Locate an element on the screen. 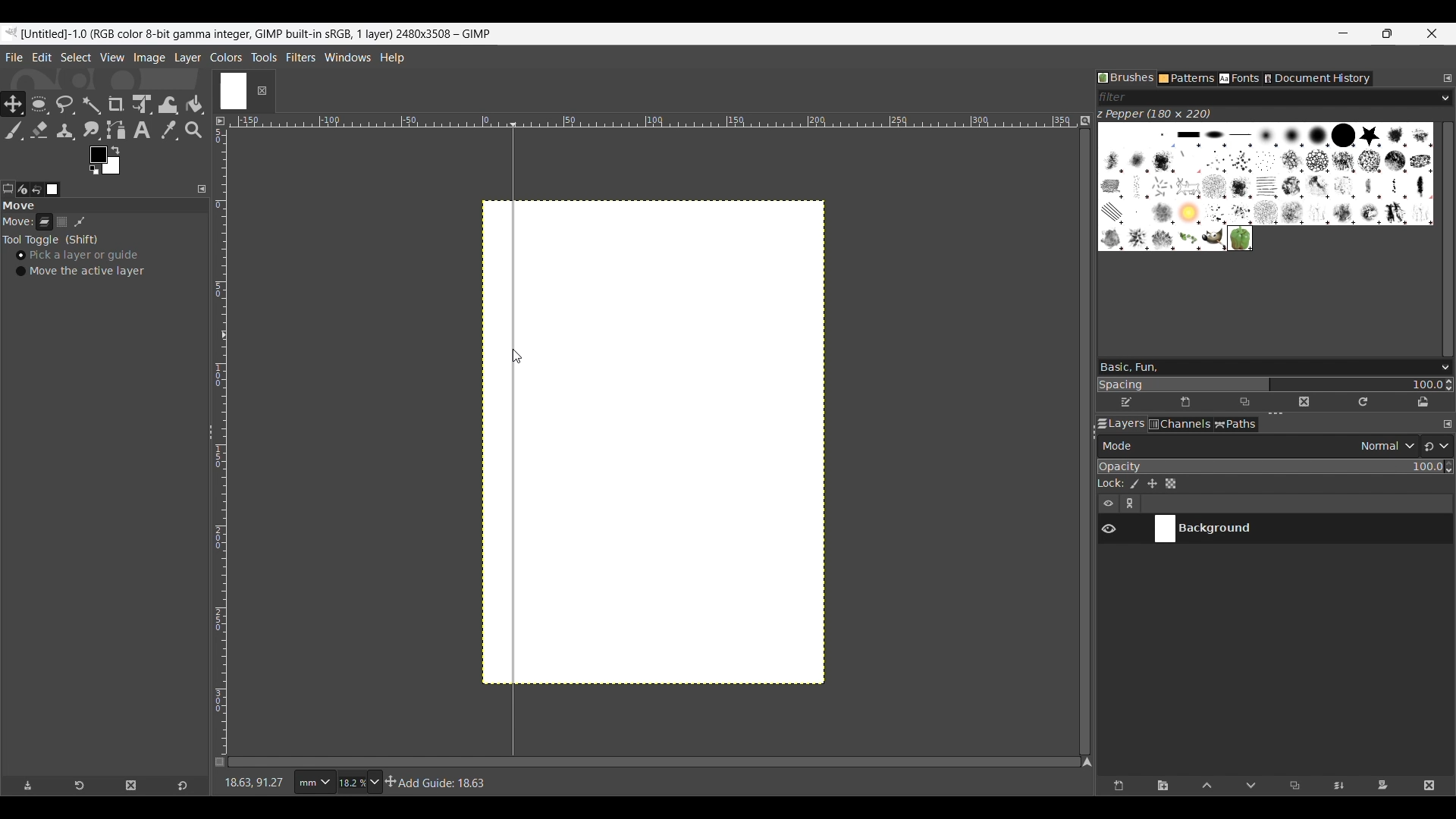 This screenshot has height=819, width=1456. Crop tool is located at coordinates (116, 104).